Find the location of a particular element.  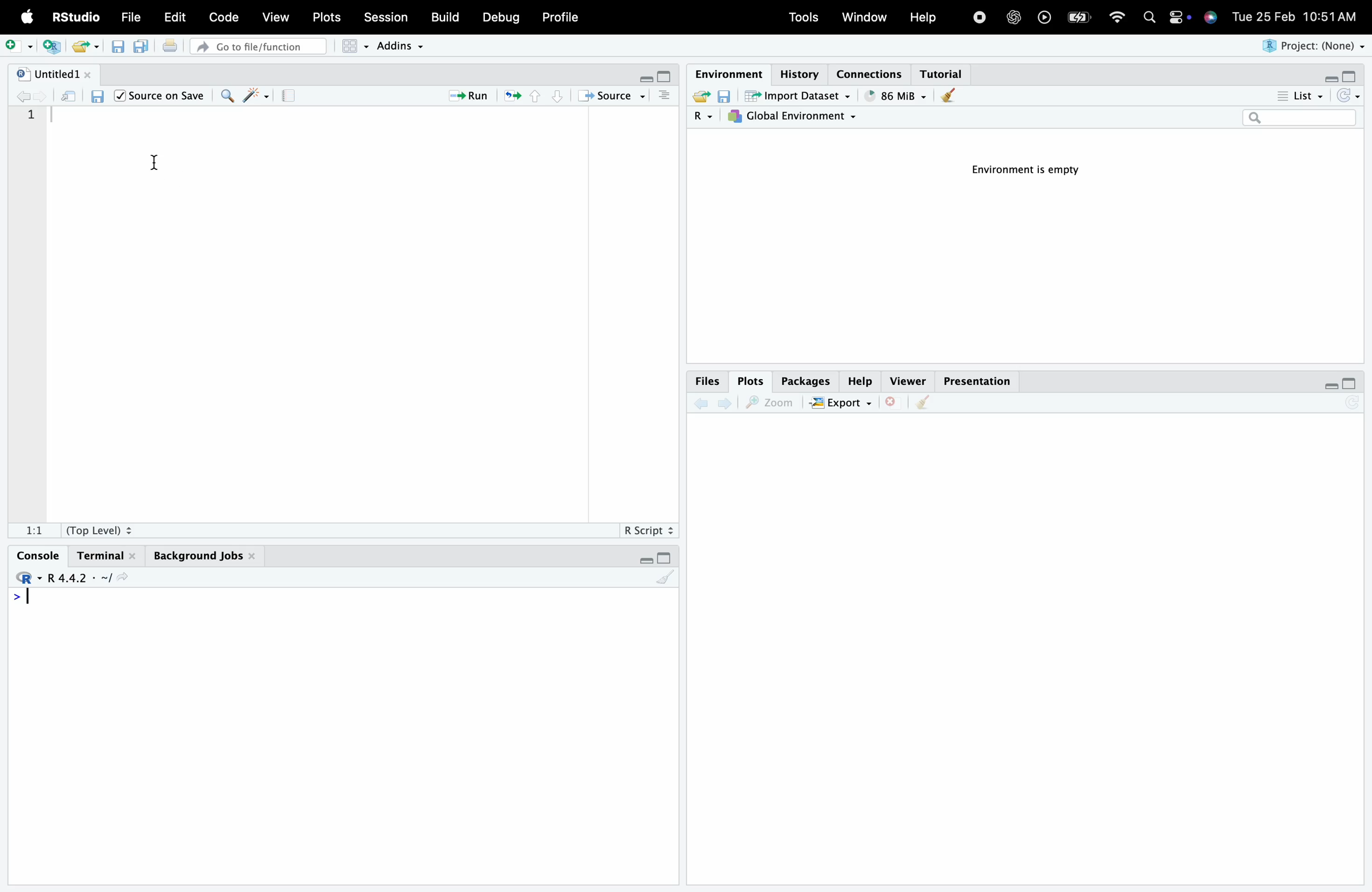

Tutorial is located at coordinates (945, 73).